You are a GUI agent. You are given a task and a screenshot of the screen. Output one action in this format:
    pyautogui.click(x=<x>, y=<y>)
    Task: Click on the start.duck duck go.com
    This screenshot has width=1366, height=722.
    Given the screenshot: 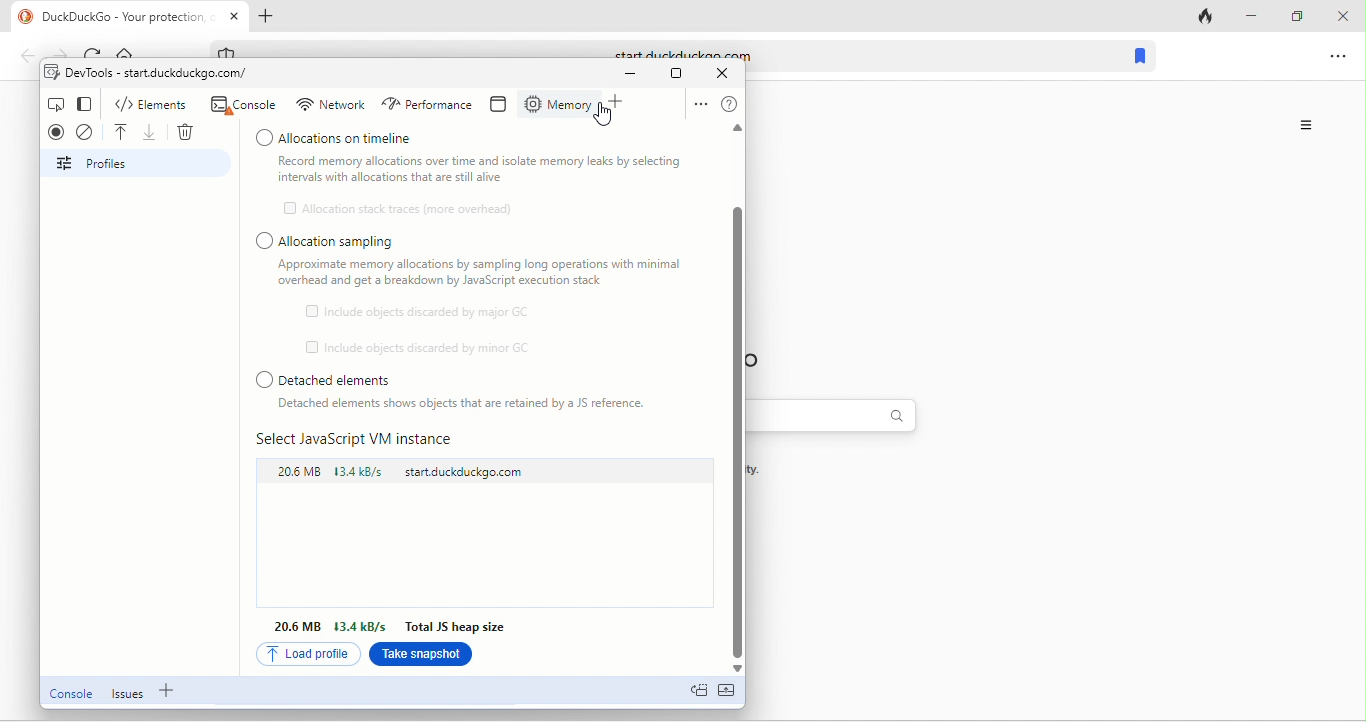 What is the action you would take?
    pyautogui.click(x=472, y=475)
    